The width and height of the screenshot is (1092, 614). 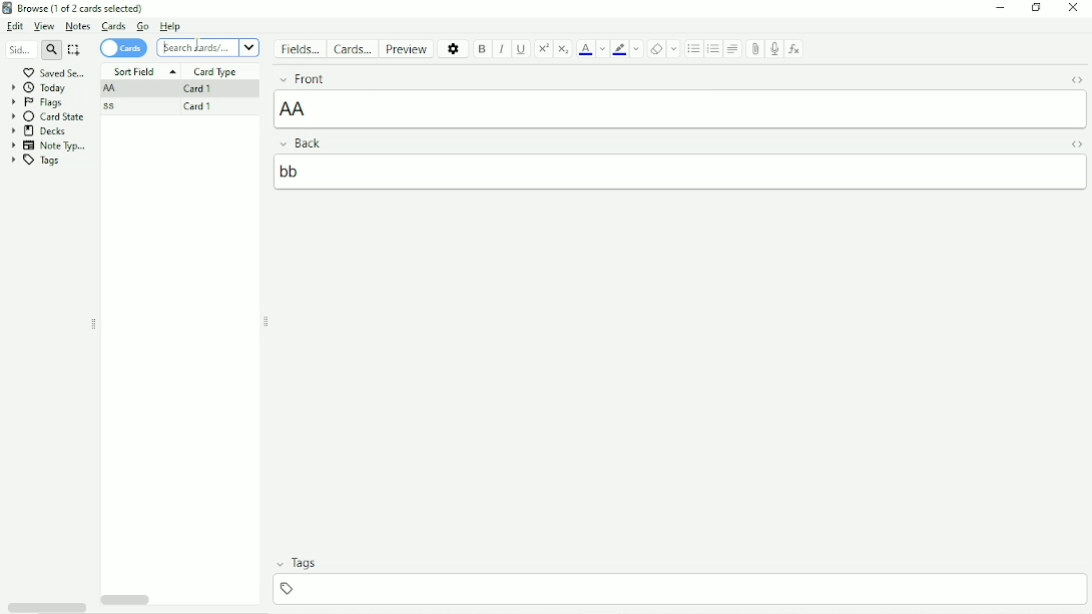 What do you see at coordinates (42, 87) in the screenshot?
I see `Today` at bounding box center [42, 87].